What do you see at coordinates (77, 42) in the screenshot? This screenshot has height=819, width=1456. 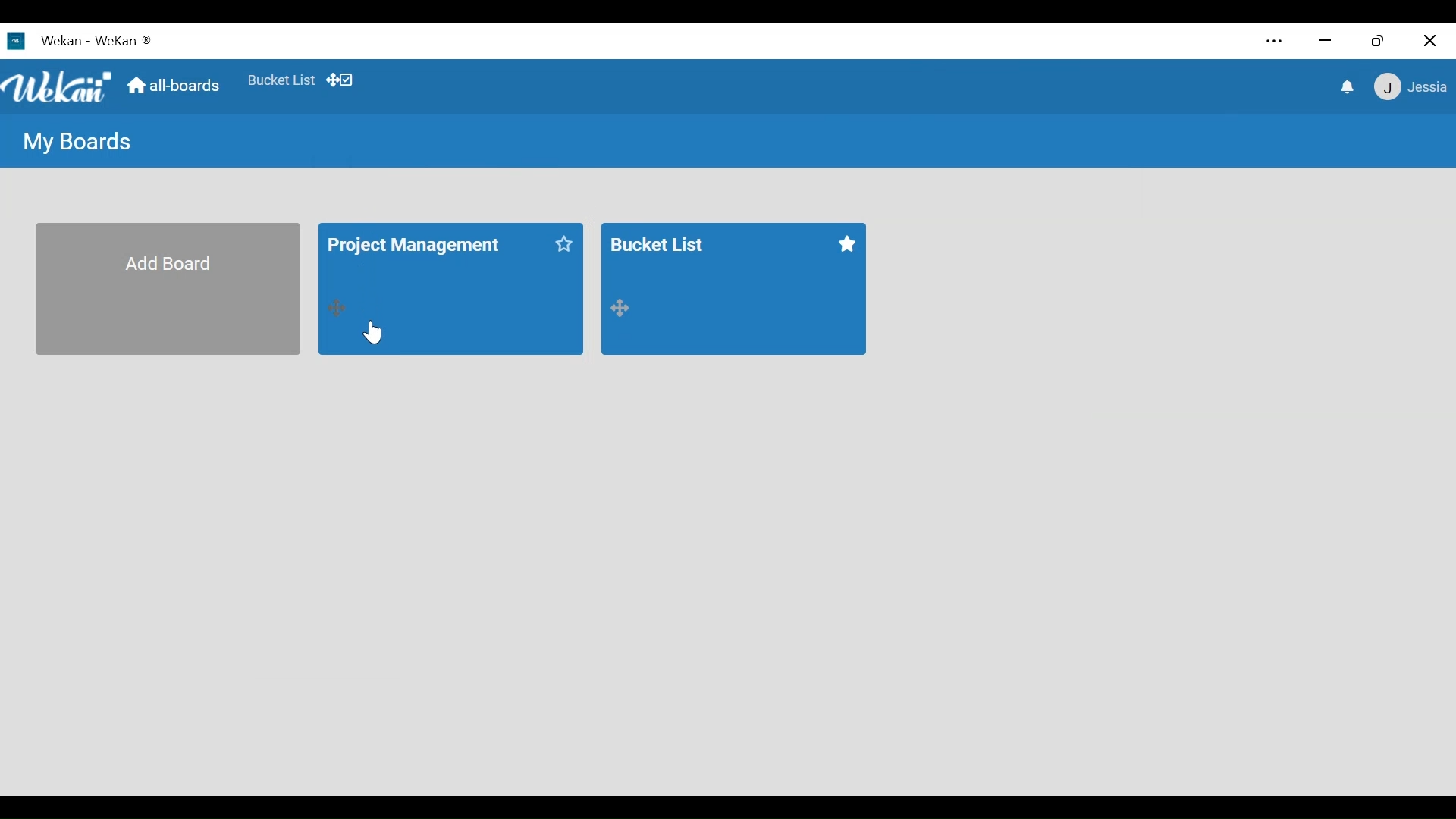 I see `Wekan` at bounding box center [77, 42].